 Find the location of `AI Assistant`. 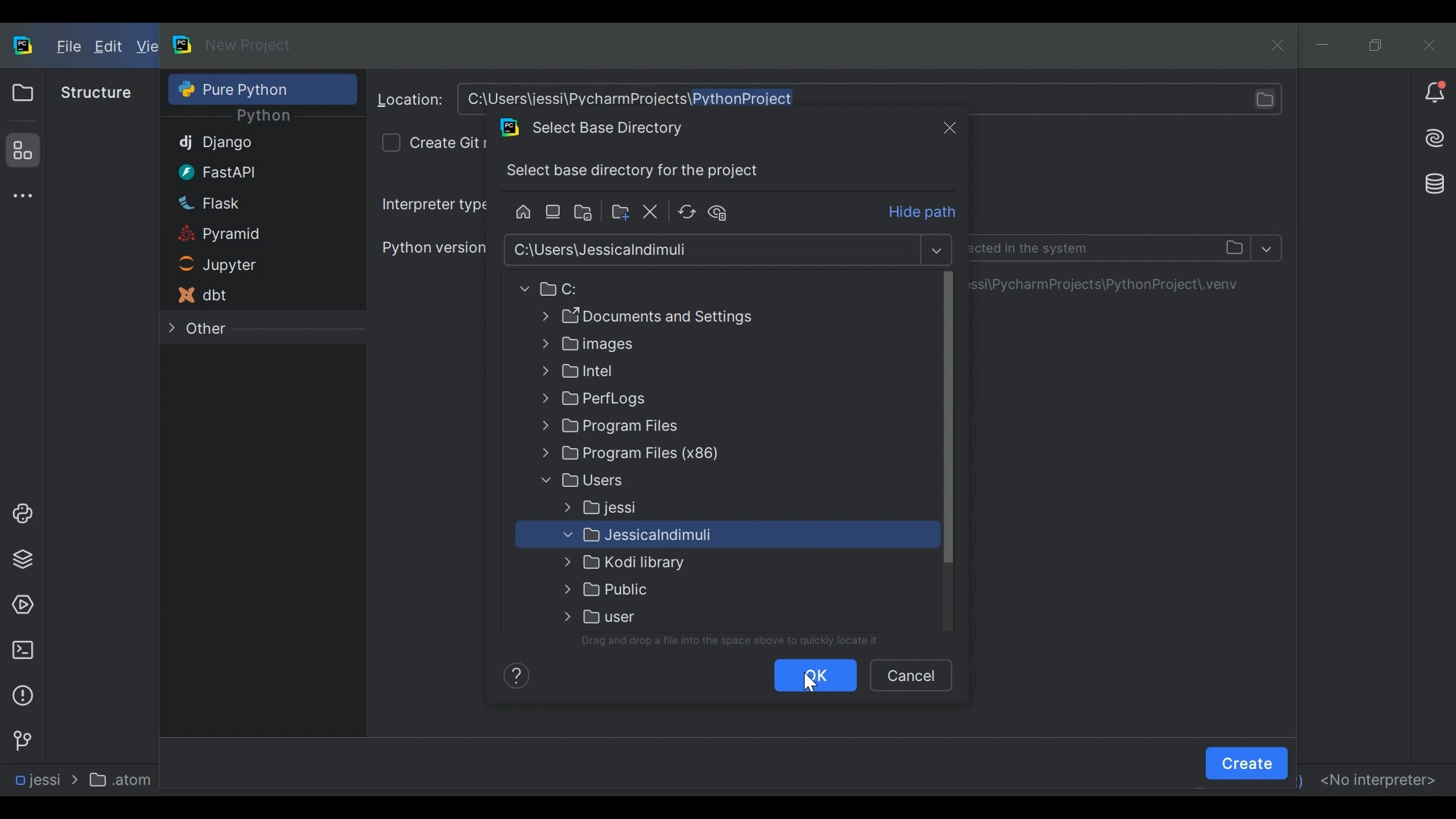

AI Assistant is located at coordinates (1433, 138).